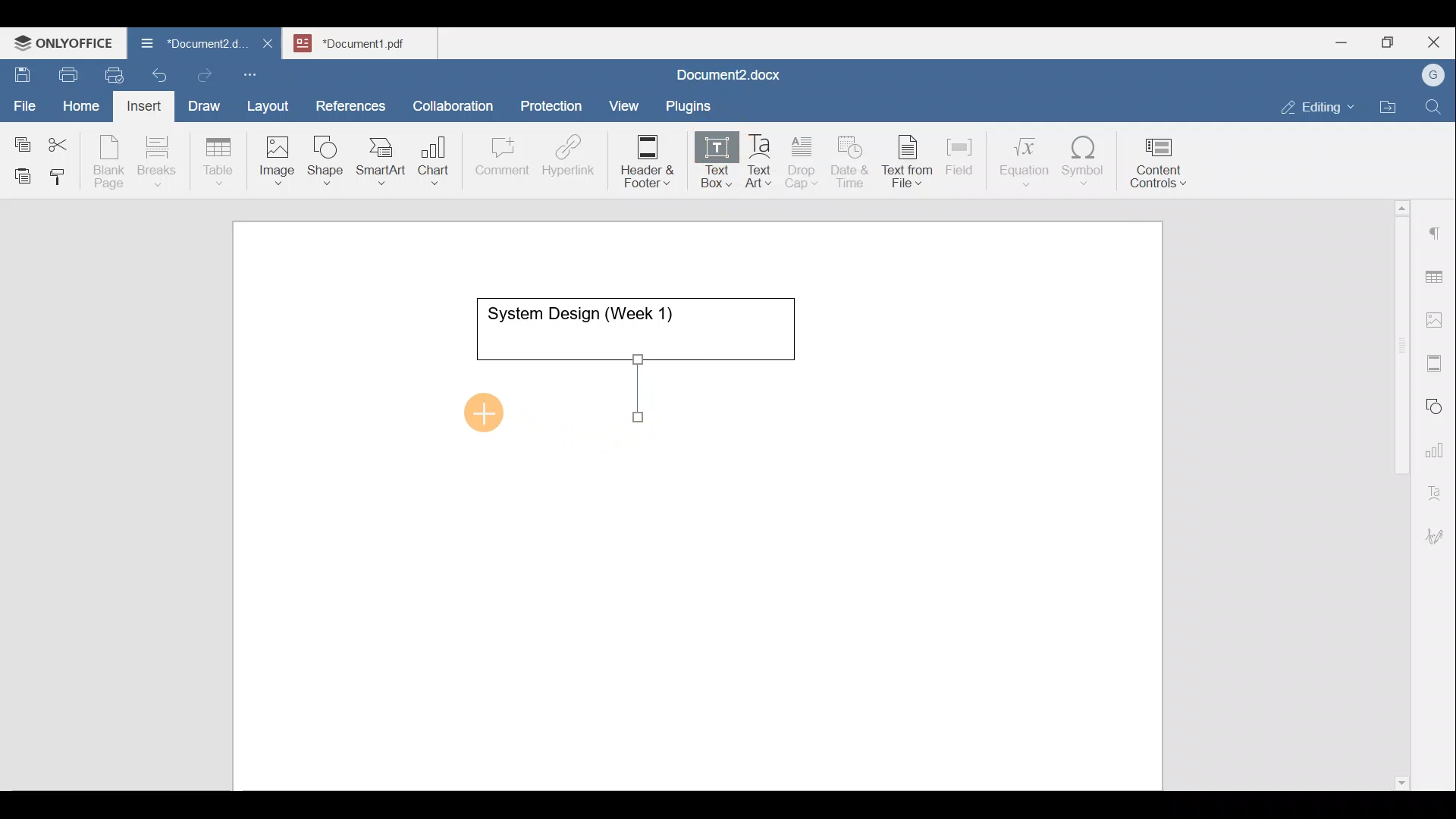  I want to click on Header & footer, so click(642, 160).